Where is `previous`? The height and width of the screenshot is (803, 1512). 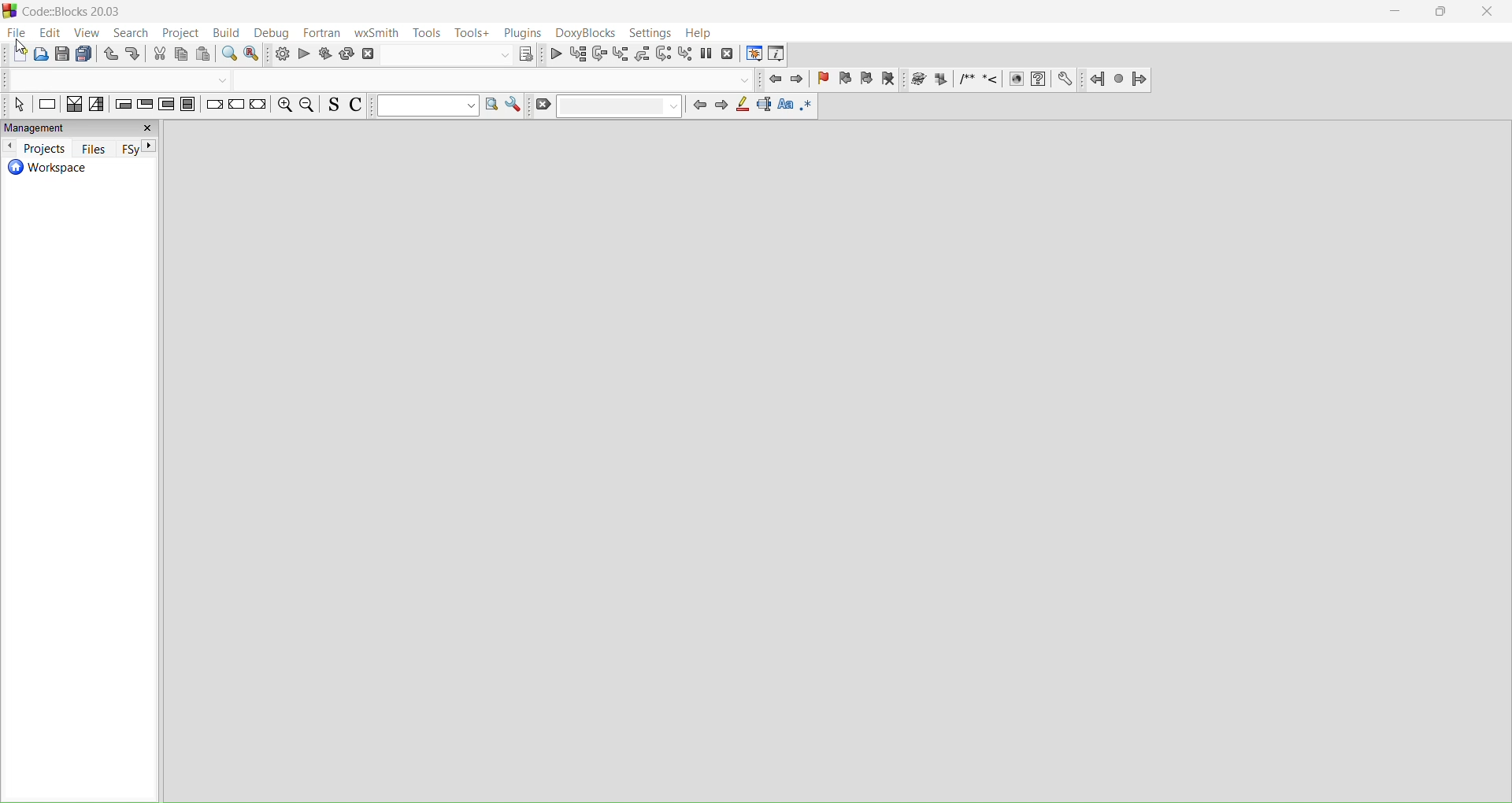
previous is located at coordinates (10, 147).